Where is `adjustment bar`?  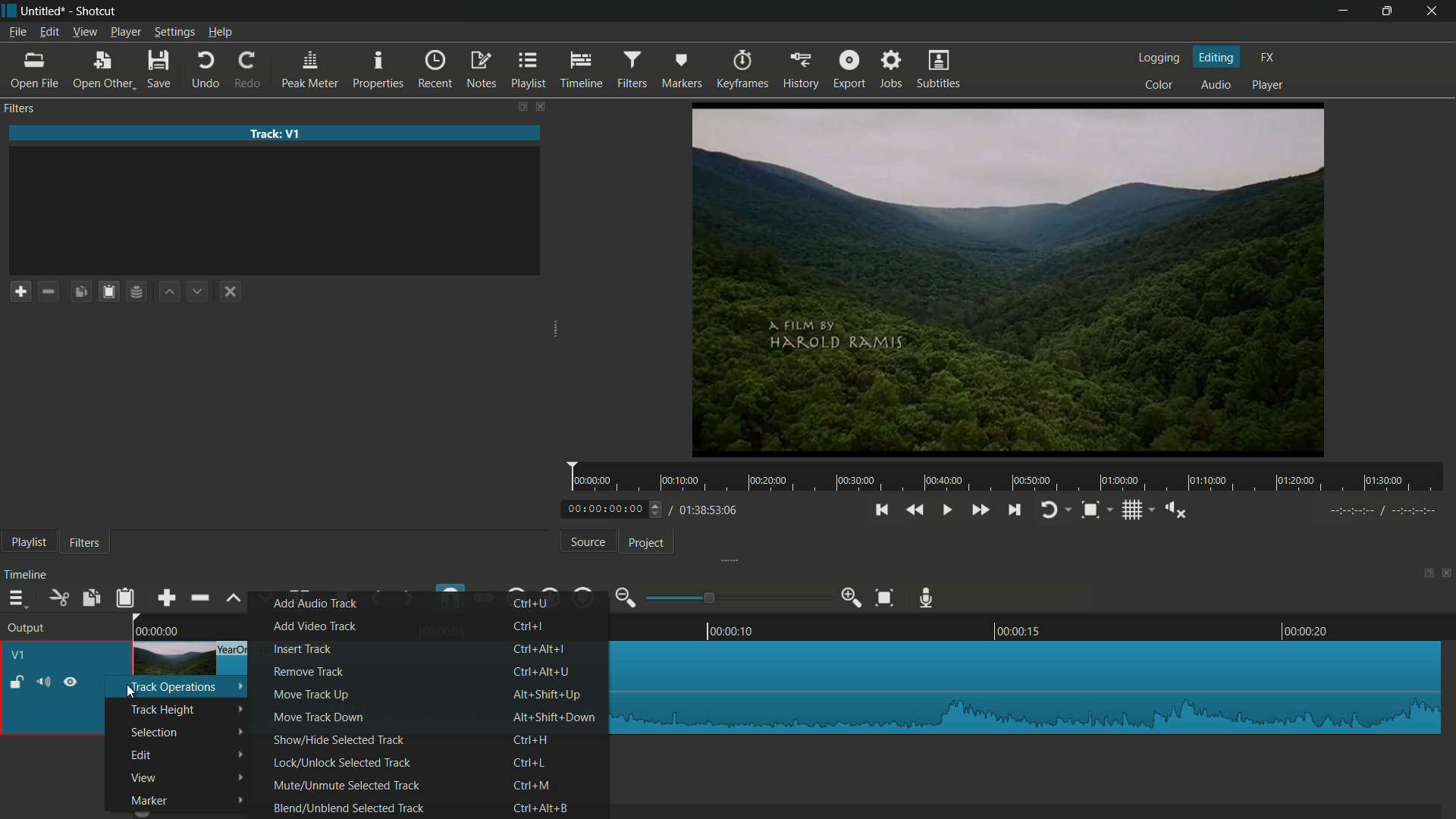
adjustment bar is located at coordinates (739, 598).